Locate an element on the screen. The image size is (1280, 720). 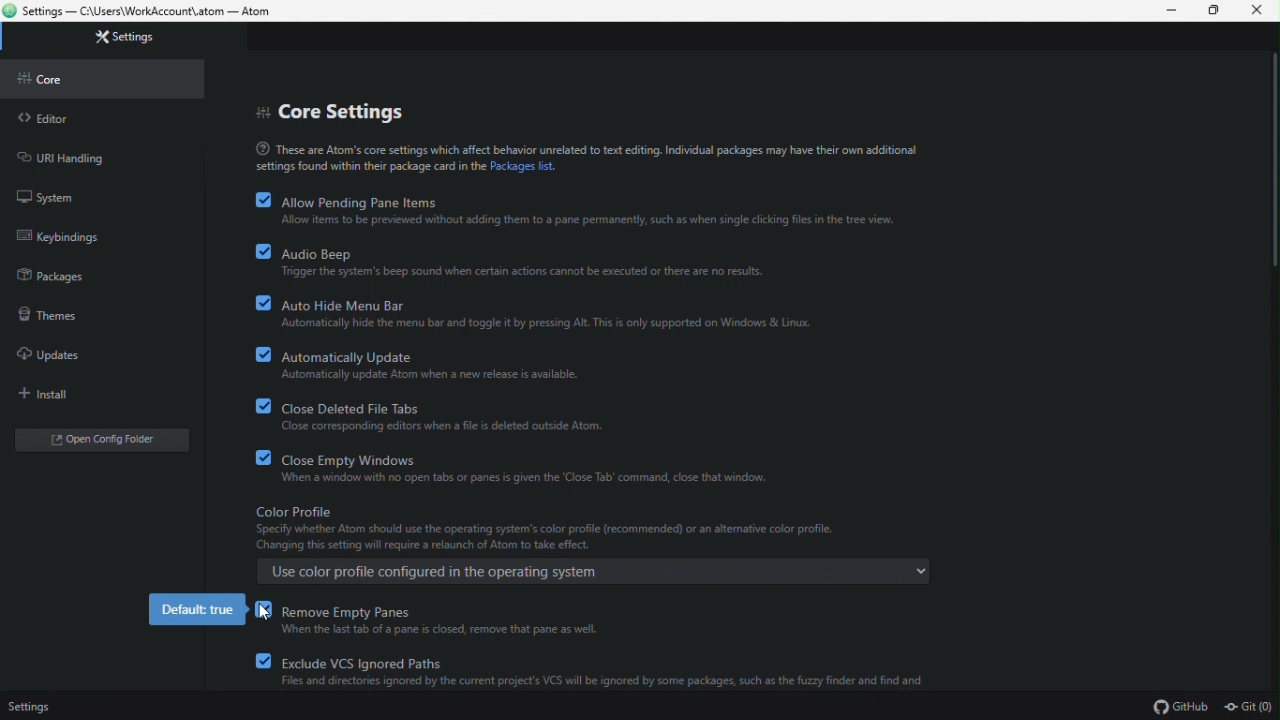
settings is located at coordinates (32, 703).